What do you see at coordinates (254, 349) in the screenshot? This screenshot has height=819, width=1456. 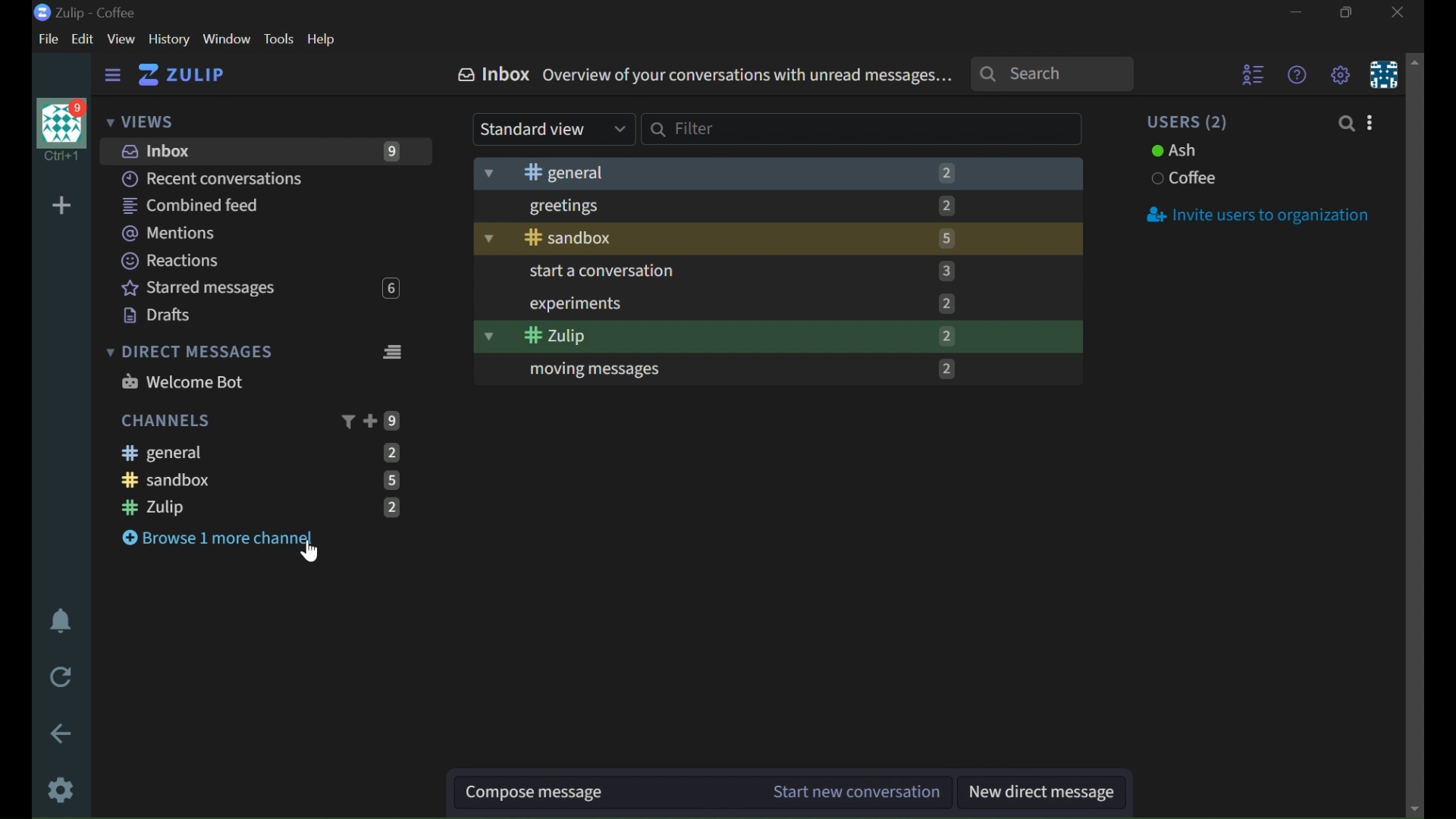 I see `DIRECT MESSAGES` at bounding box center [254, 349].